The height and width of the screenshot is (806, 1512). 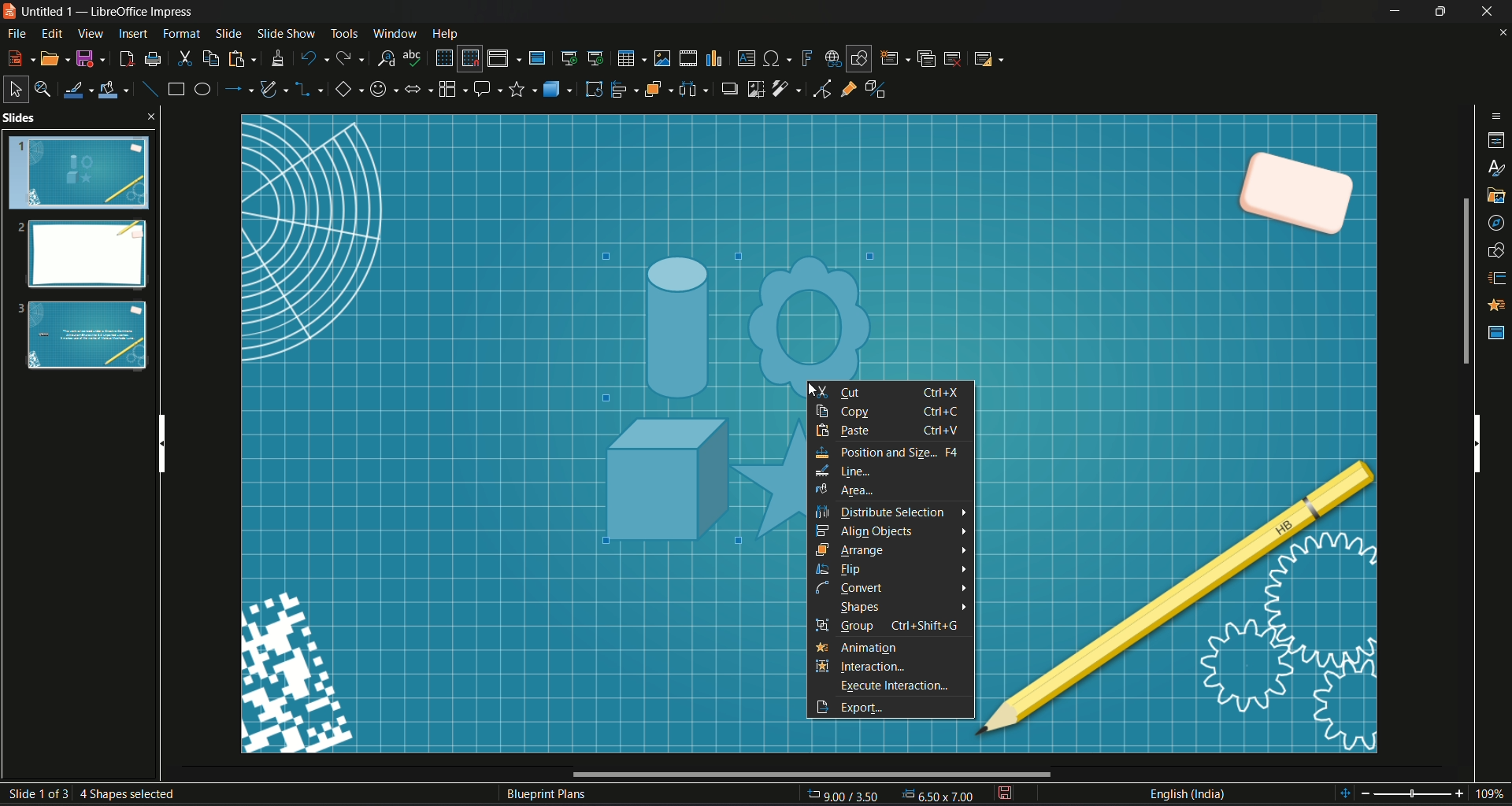 What do you see at coordinates (114, 91) in the screenshot?
I see `fill color` at bounding box center [114, 91].